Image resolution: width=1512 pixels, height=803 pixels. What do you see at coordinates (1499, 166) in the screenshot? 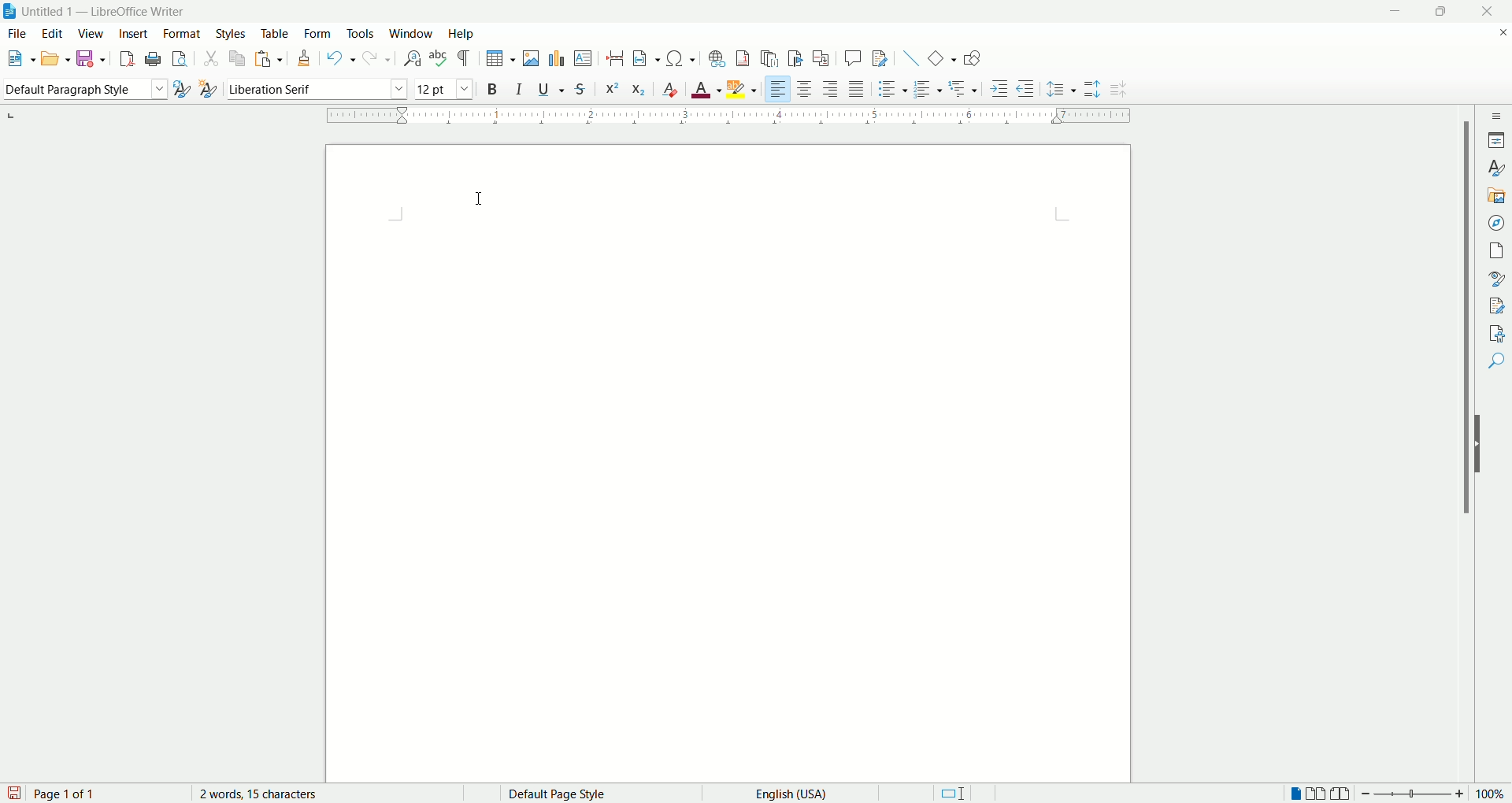
I see `styles` at bounding box center [1499, 166].